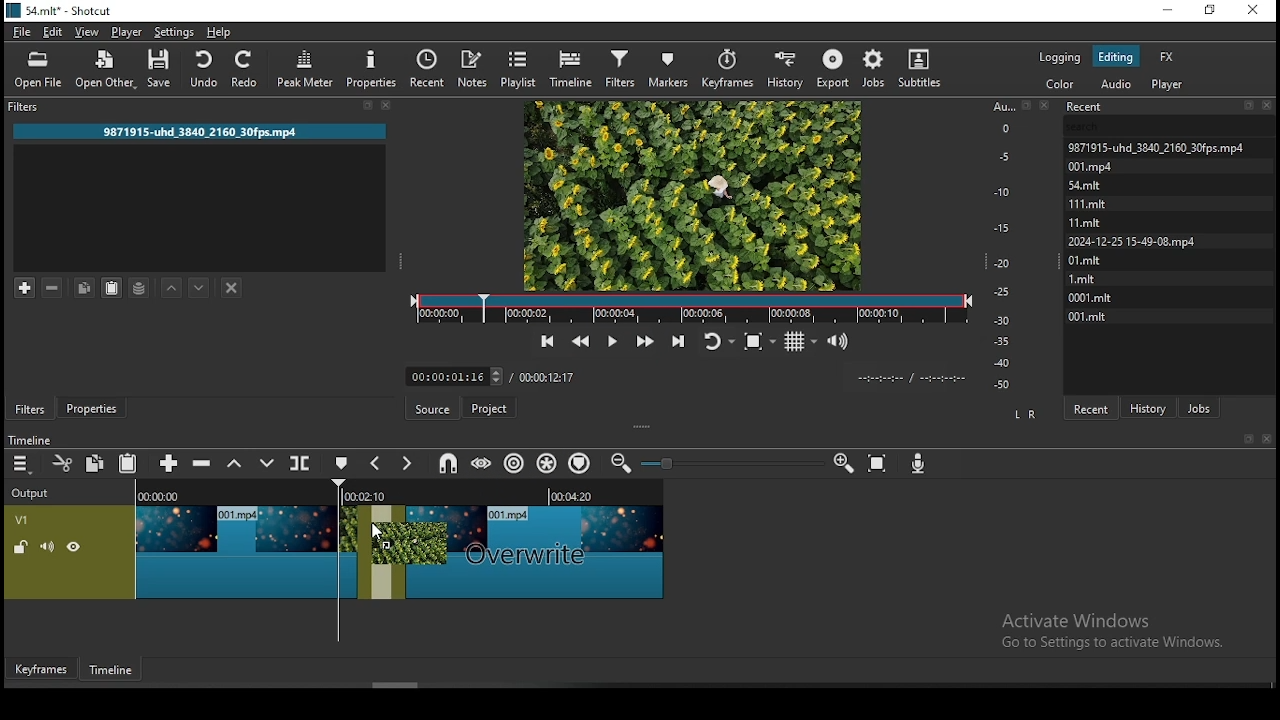 The height and width of the screenshot is (720, 1280). What do you see at coordinates (169, 463) in the screenshot?
I see `append` at bounding box center [169, 463].